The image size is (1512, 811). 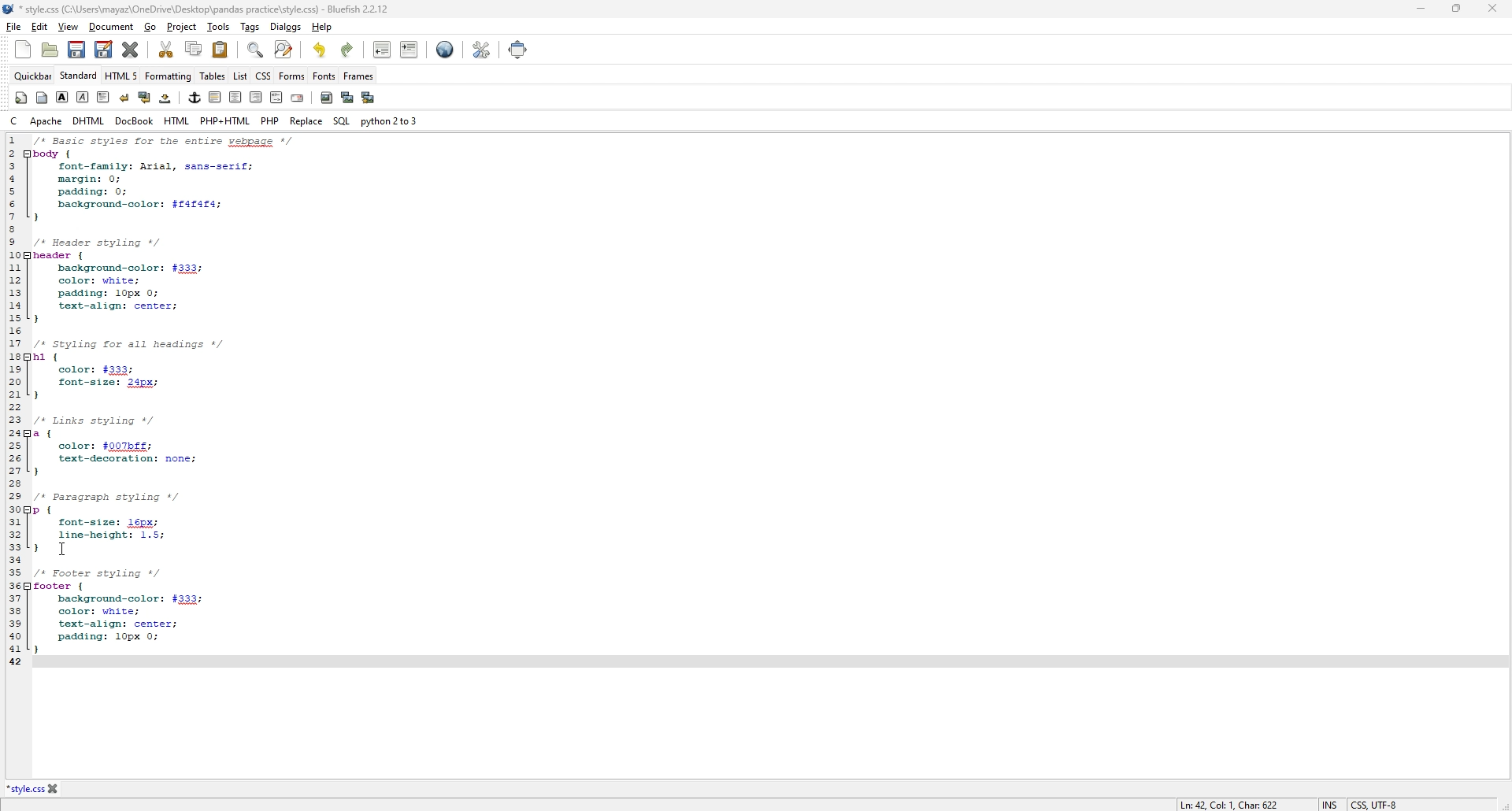 What do you see at coordinates (83, 98) in the screenshot?
I see `italic` at bounding box center [83, 98].